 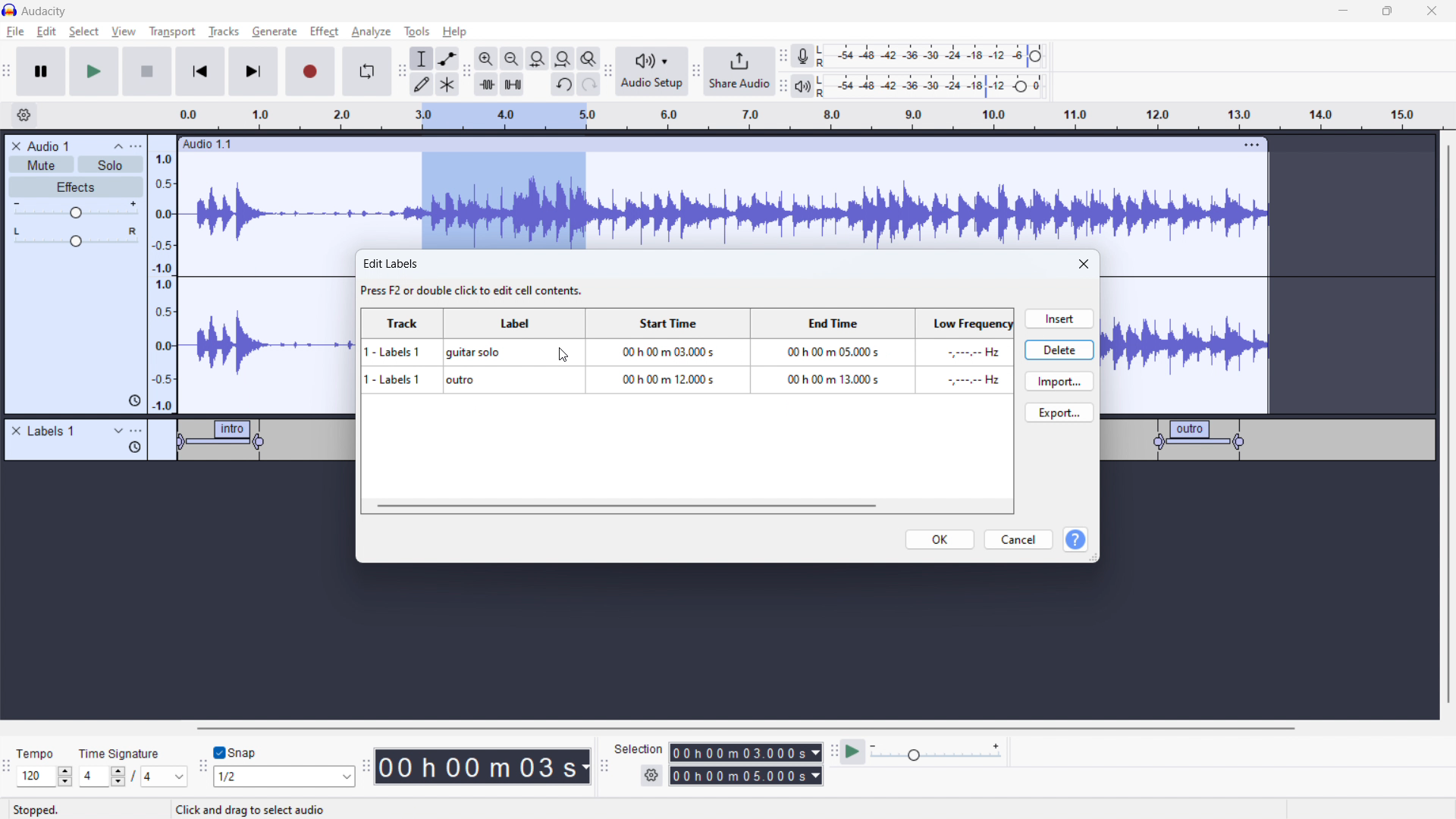 What do you see at coordinates (1387, 11) in the screenshot?
I see `maximize` at bounding box center [1387, 11].